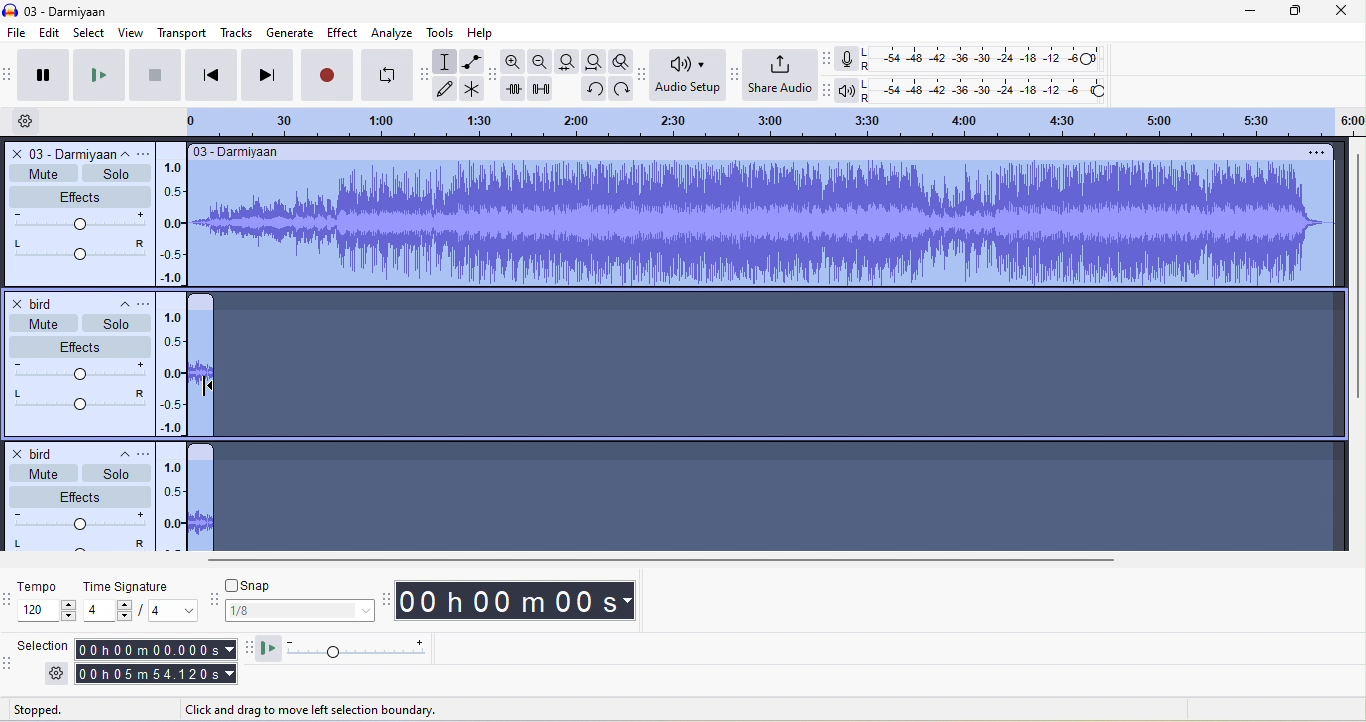  What do you see at coordinates (363, 649) in the screenshot?
I see `play at speed` at bounding box center [363, 649].